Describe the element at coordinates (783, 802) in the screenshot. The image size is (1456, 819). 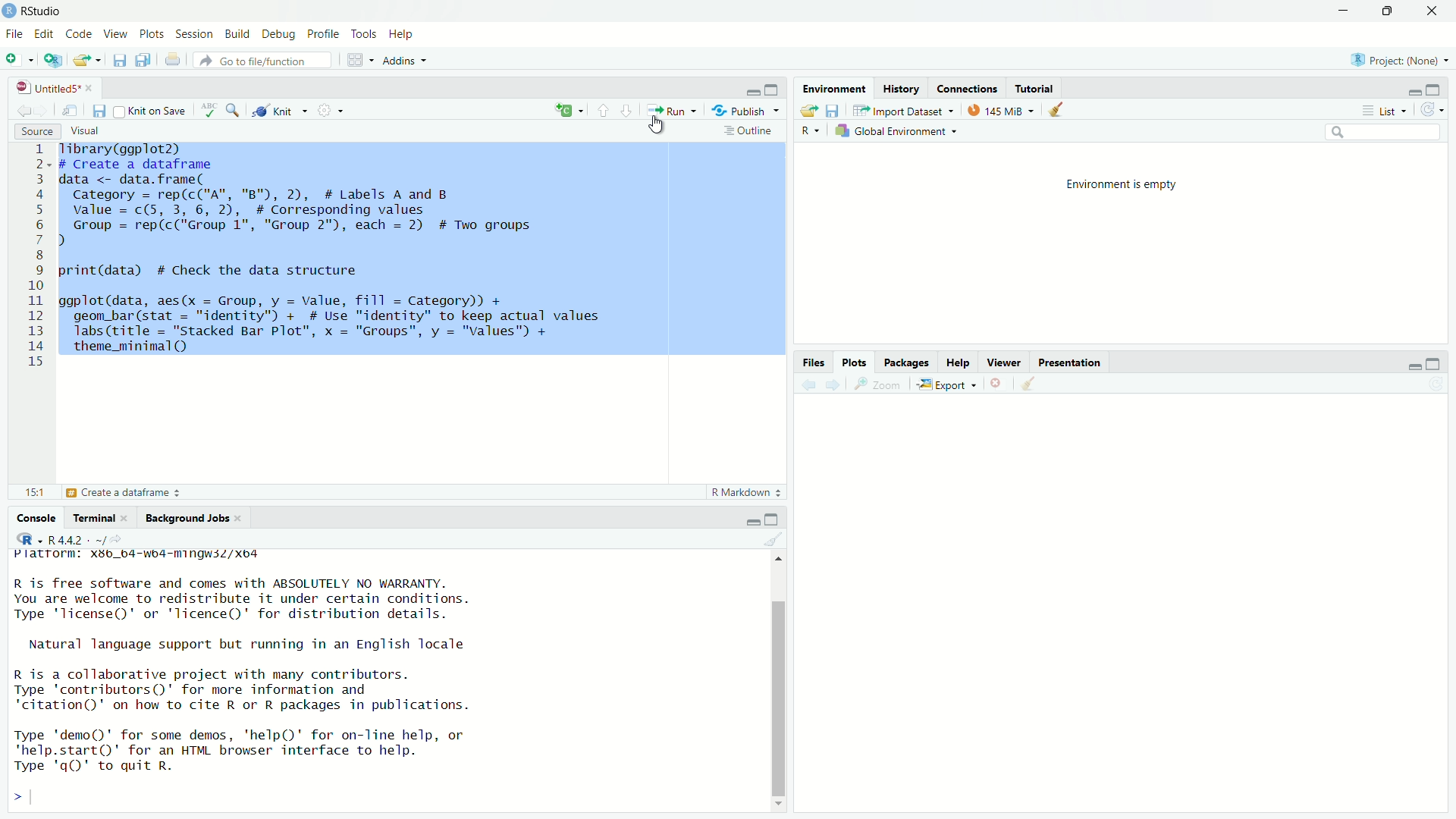
I see `Down` at that location.